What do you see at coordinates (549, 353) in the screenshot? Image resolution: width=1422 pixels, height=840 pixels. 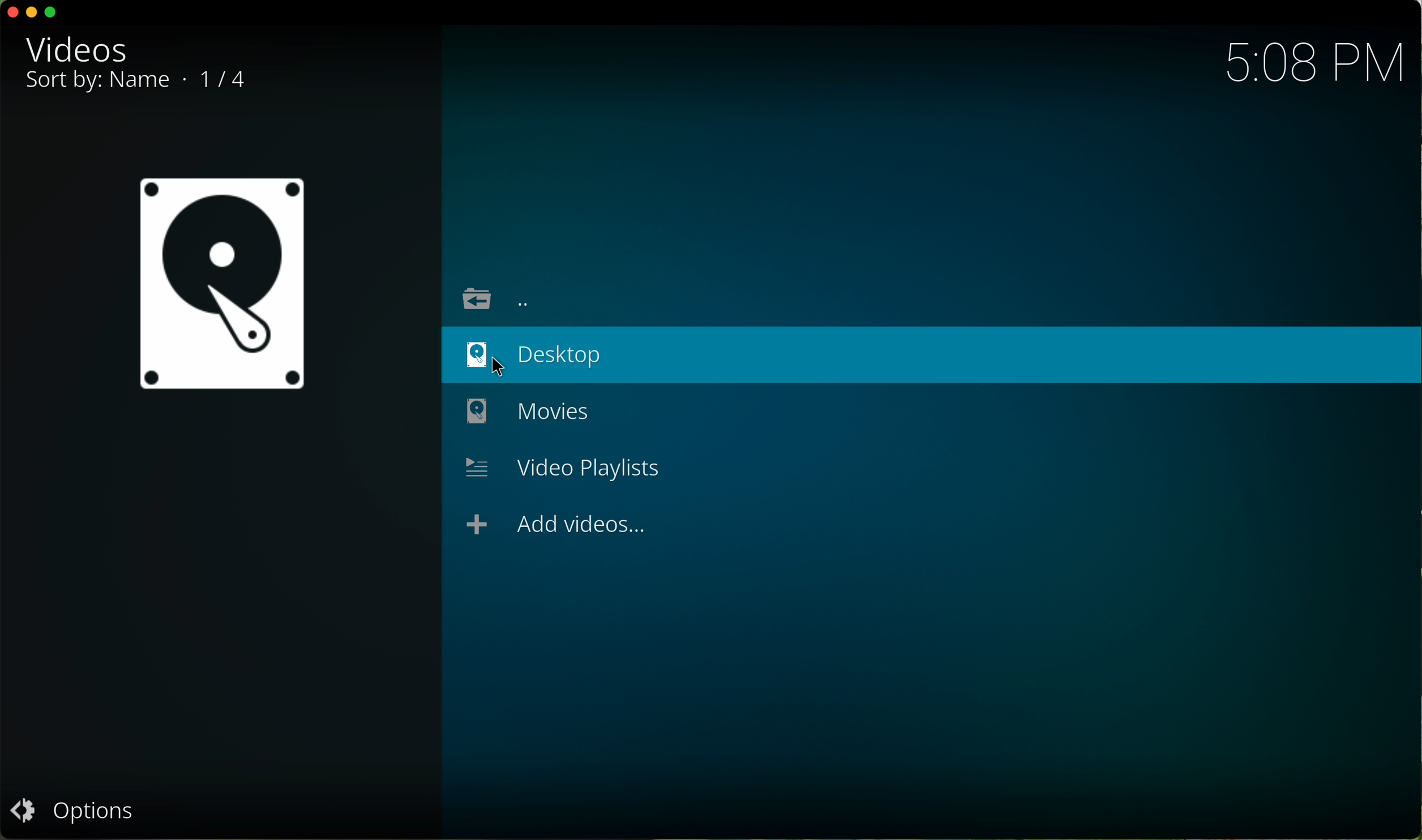 I see `click on desktop` at bounding box center [549, 353].